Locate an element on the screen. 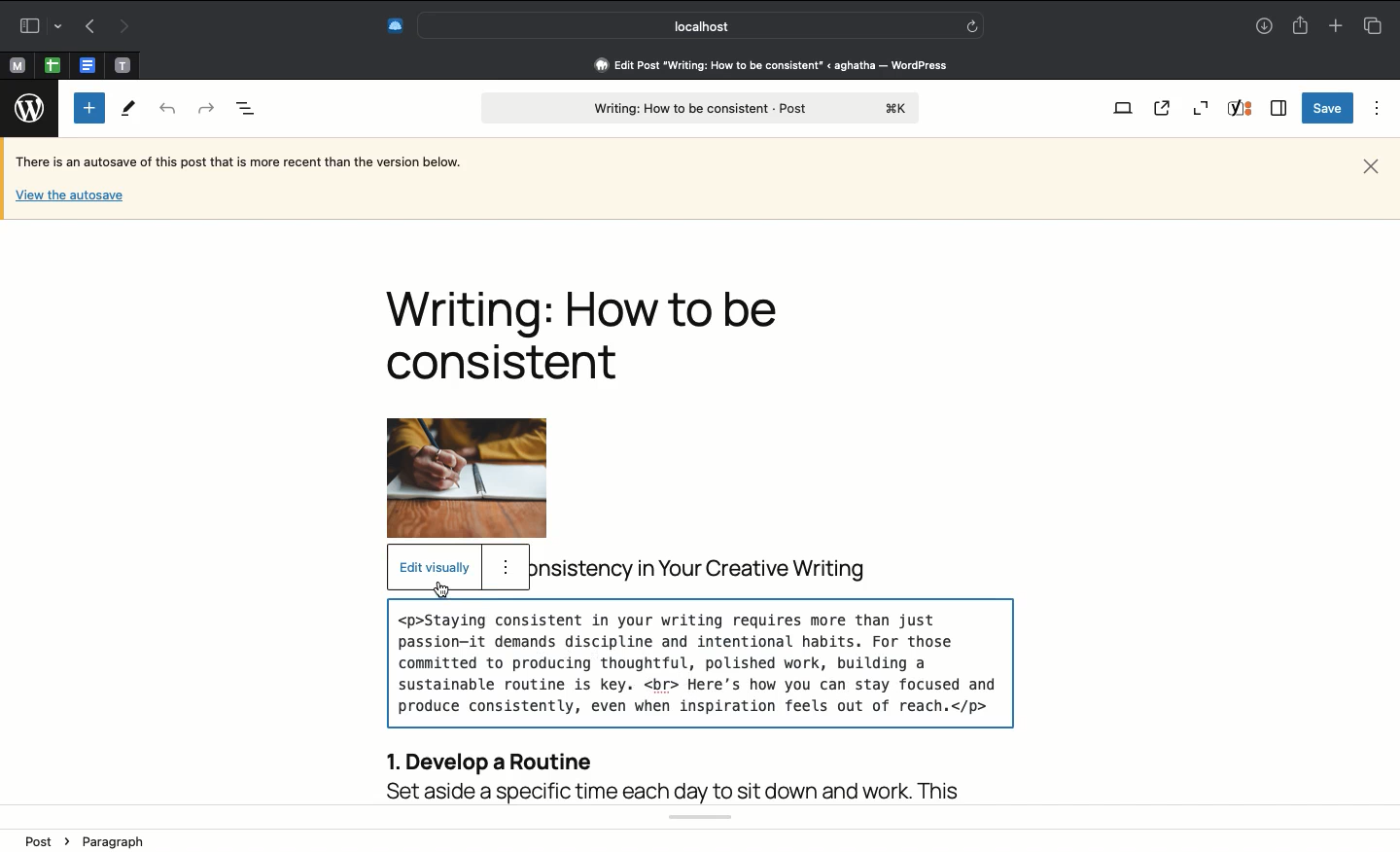  Options is located at coordinates (1373, 108).